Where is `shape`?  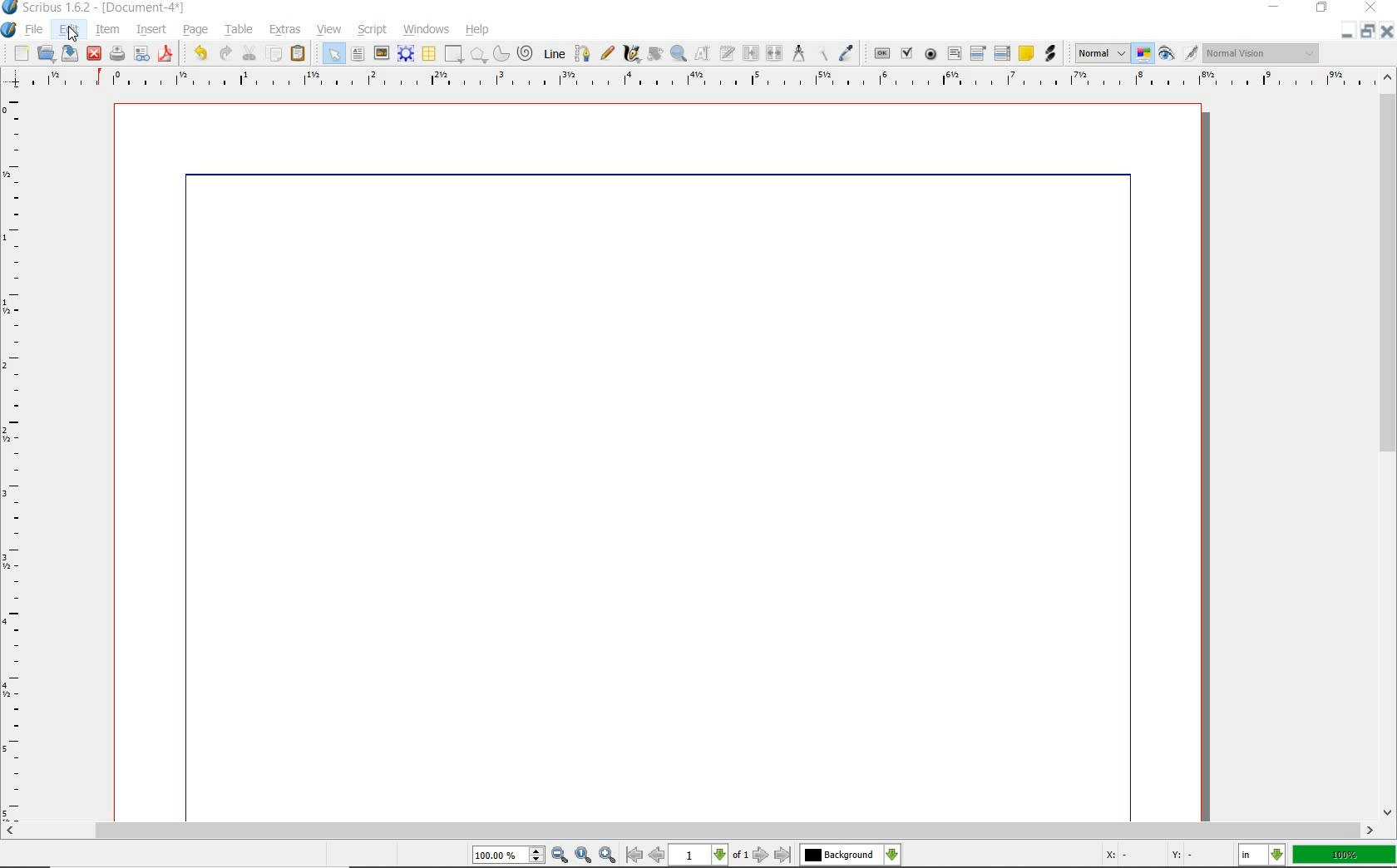
shape is located at coordinates (454, 55).